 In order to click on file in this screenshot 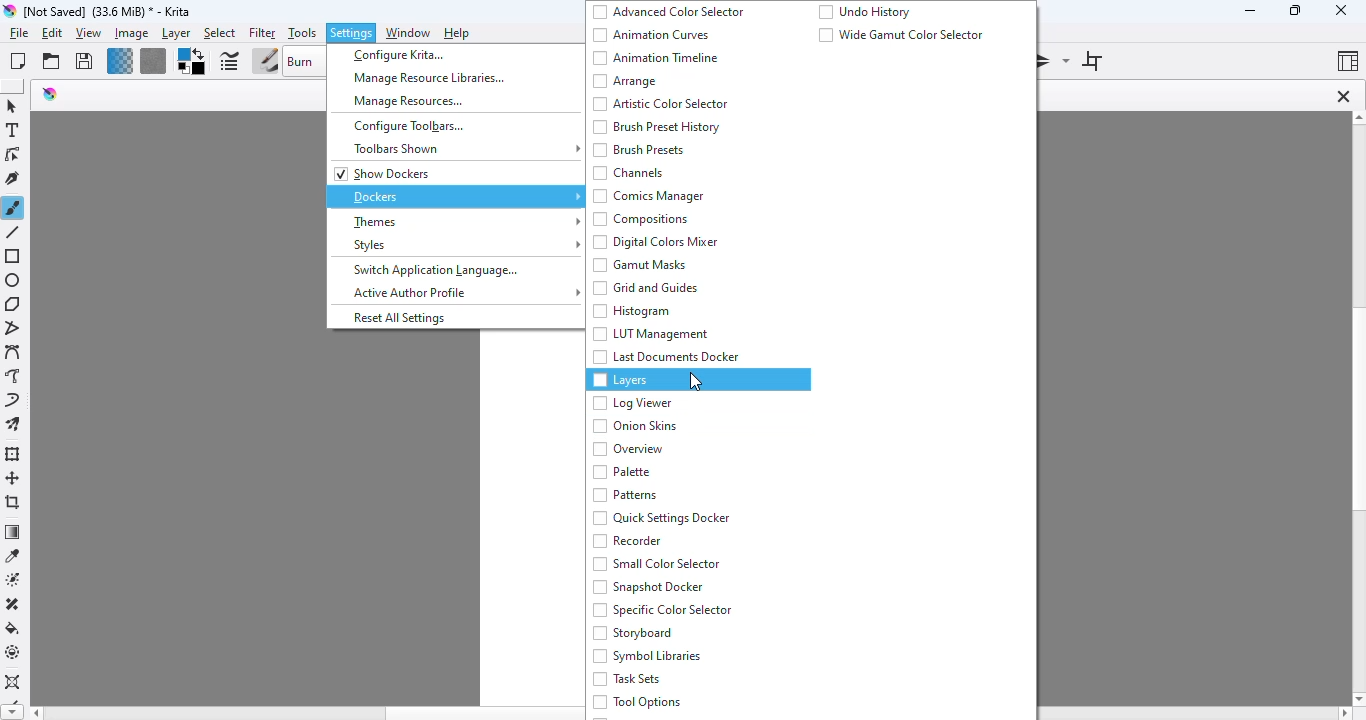, I will do `click(19, 33)`.